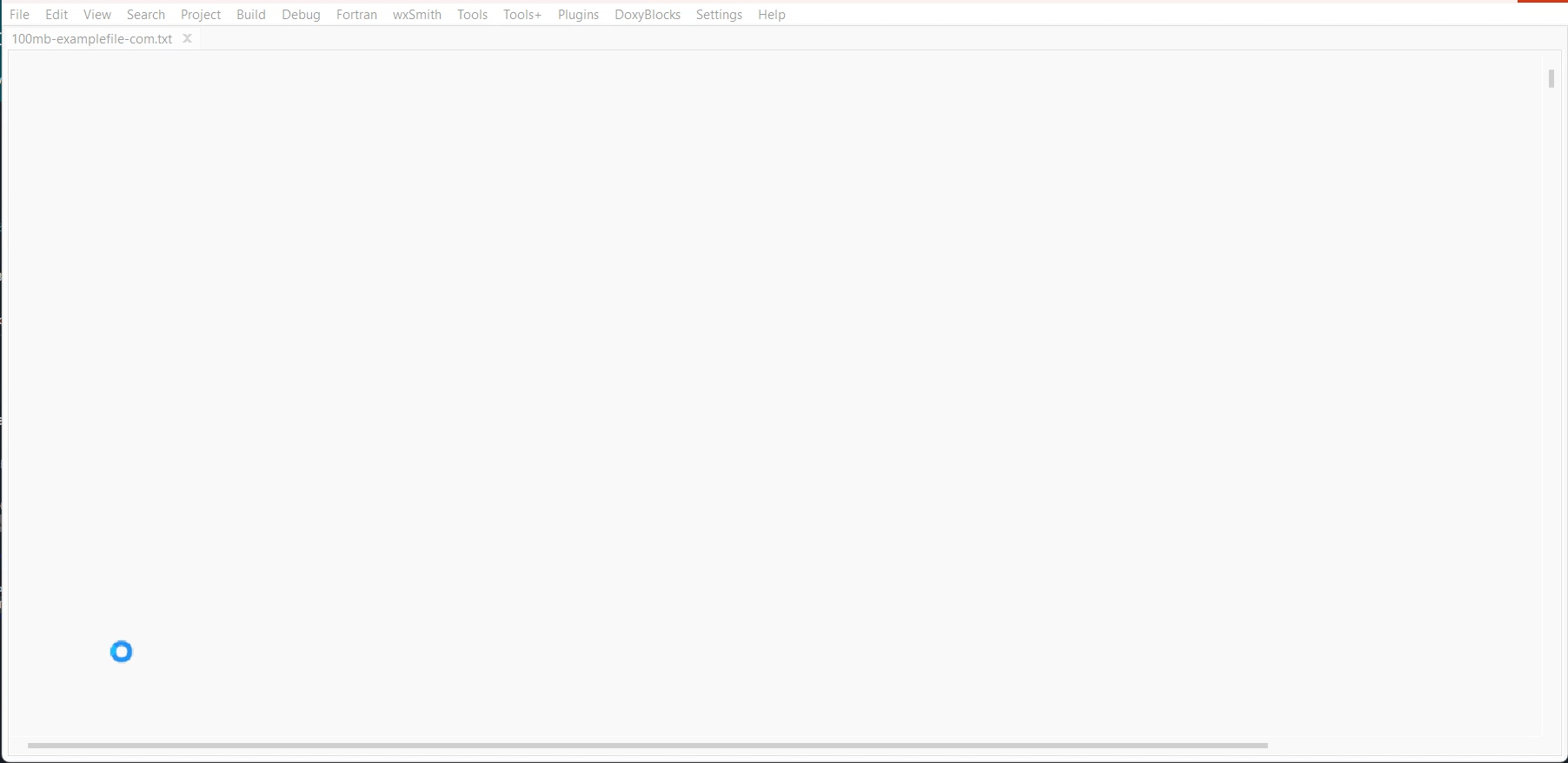 The width and height of the screenshot is (1568, 763). Describe the element at coordinates (648, 15) in the screenshot. I see `DoxyBlocks` at that location.